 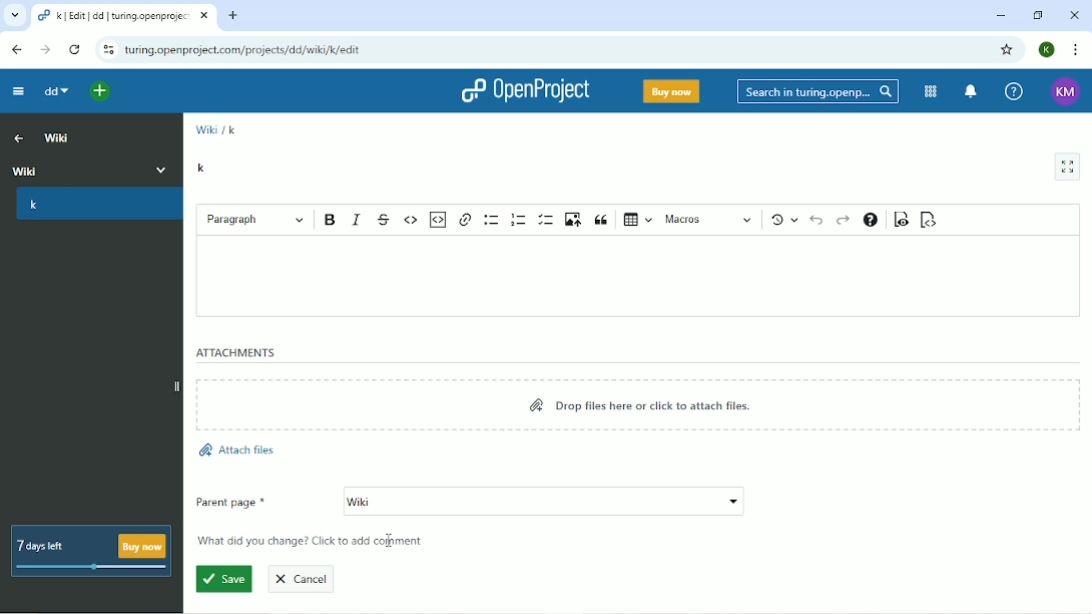 I want to click on Attachments, so click(x=236, y=353).